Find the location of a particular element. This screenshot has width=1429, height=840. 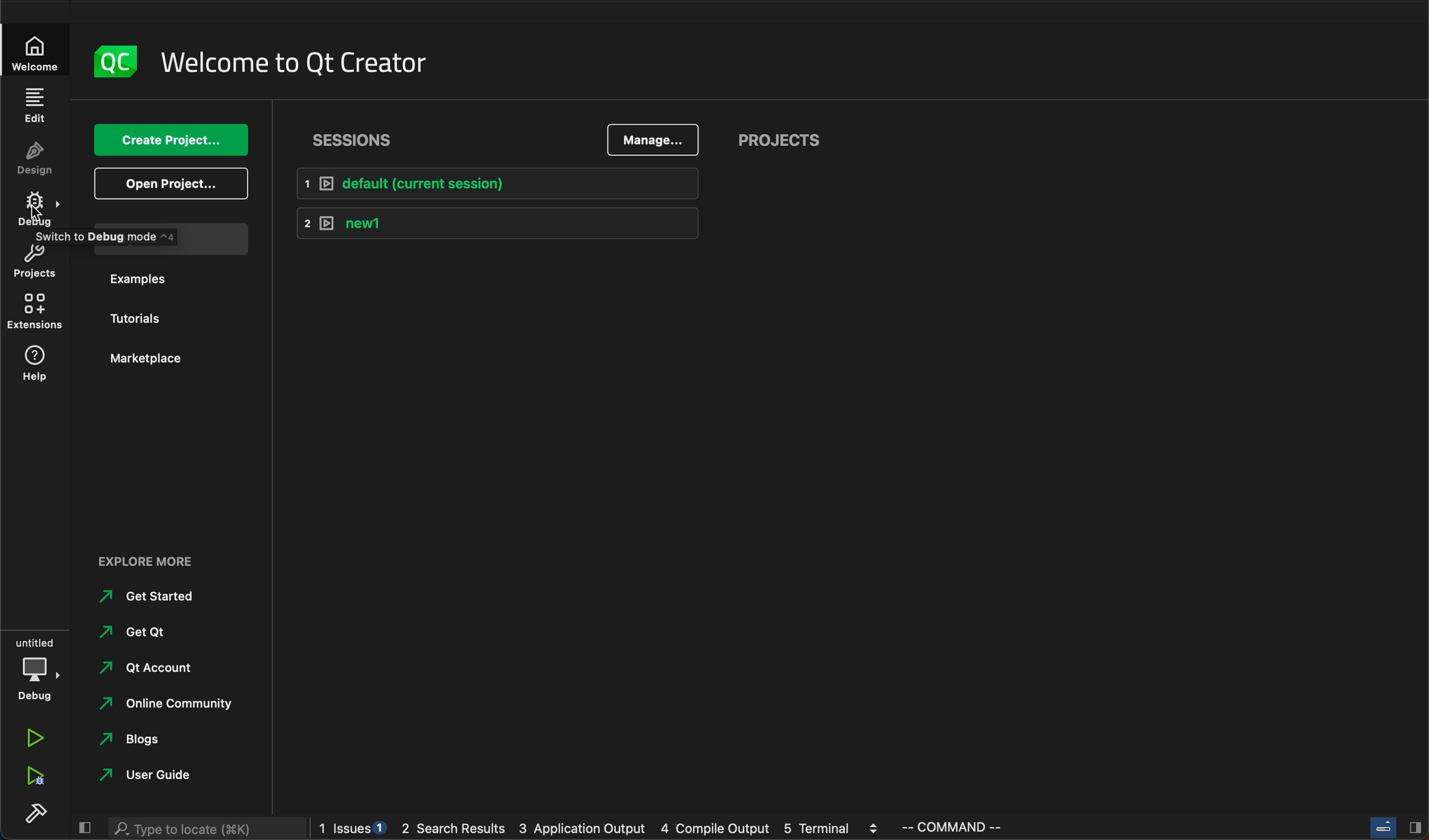

guide is located at coordinates (151, 771).